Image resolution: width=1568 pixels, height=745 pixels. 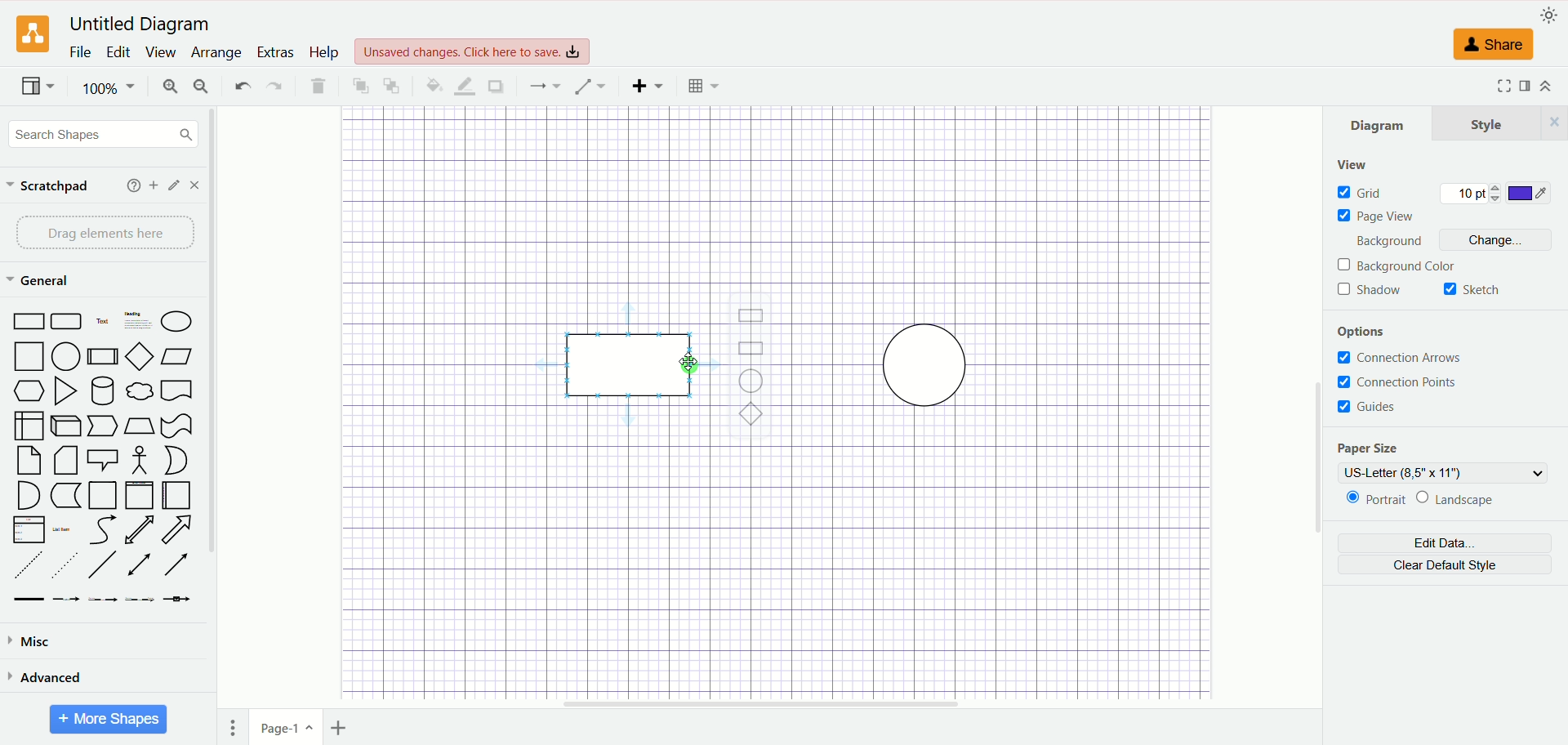 I want to click on general, so click(x=38, y=280).